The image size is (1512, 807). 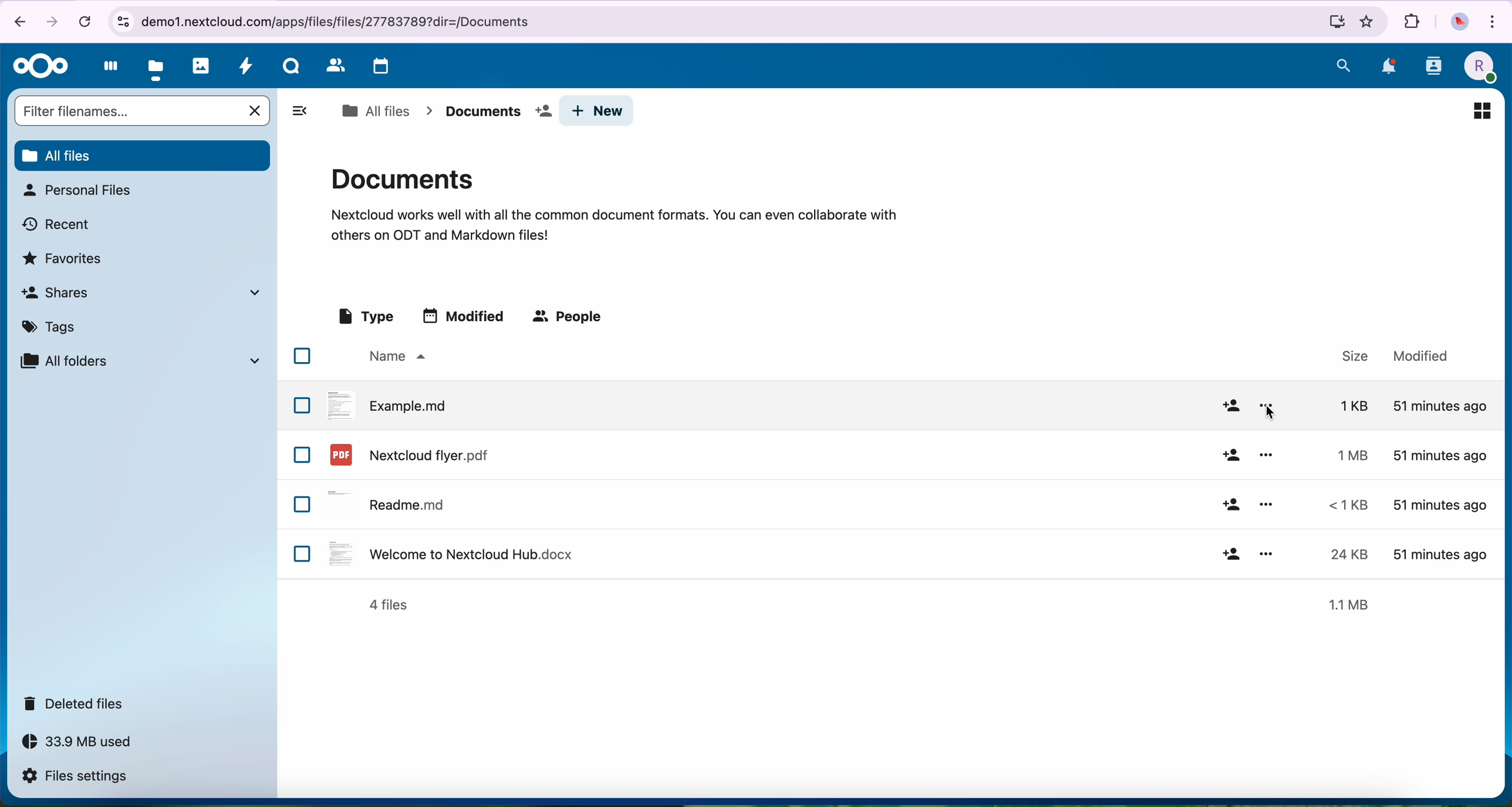 I want to click on 33.9 MB used, so click(x=88, y=745).